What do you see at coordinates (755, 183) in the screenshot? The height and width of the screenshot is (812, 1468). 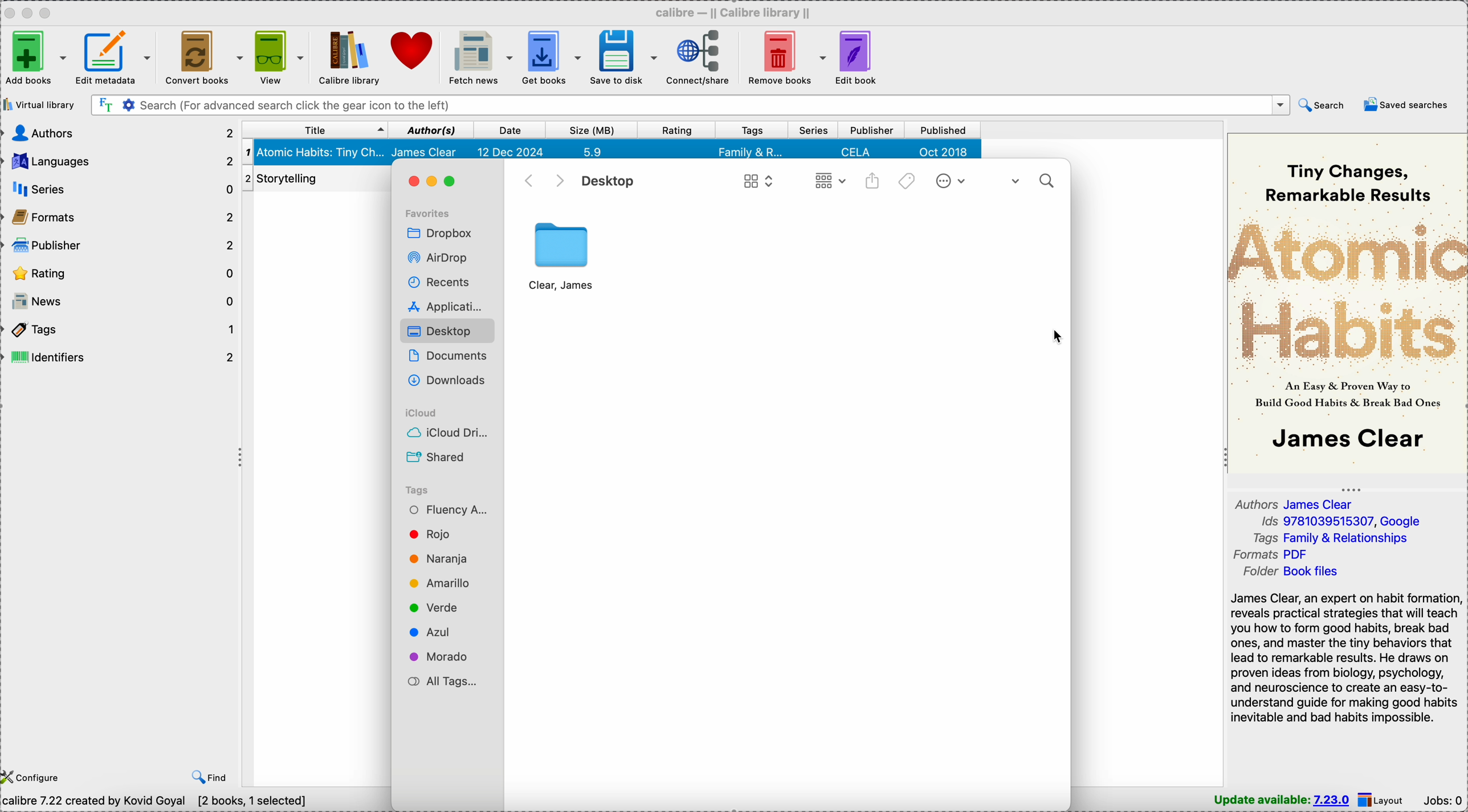 I see `grid view` at bounding box center [755, 183].